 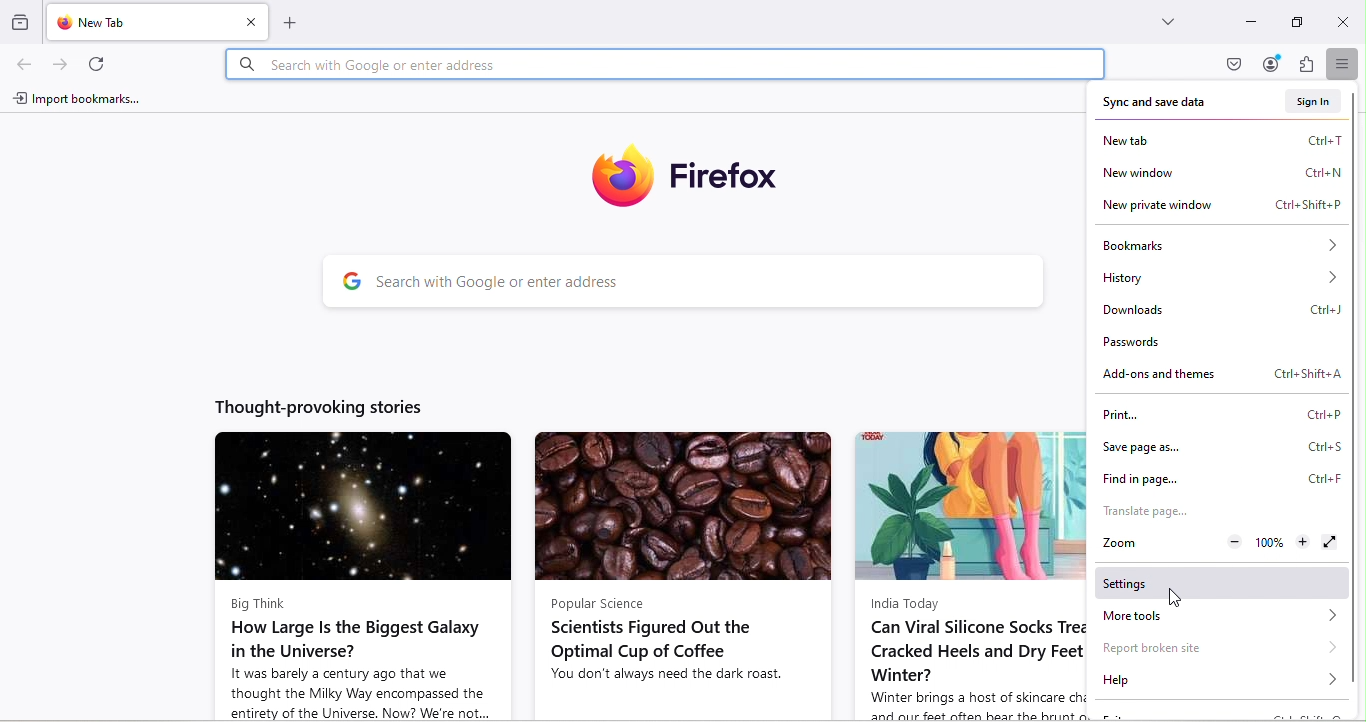 I want to click on Go forward one page, so click(x=61, y=65).